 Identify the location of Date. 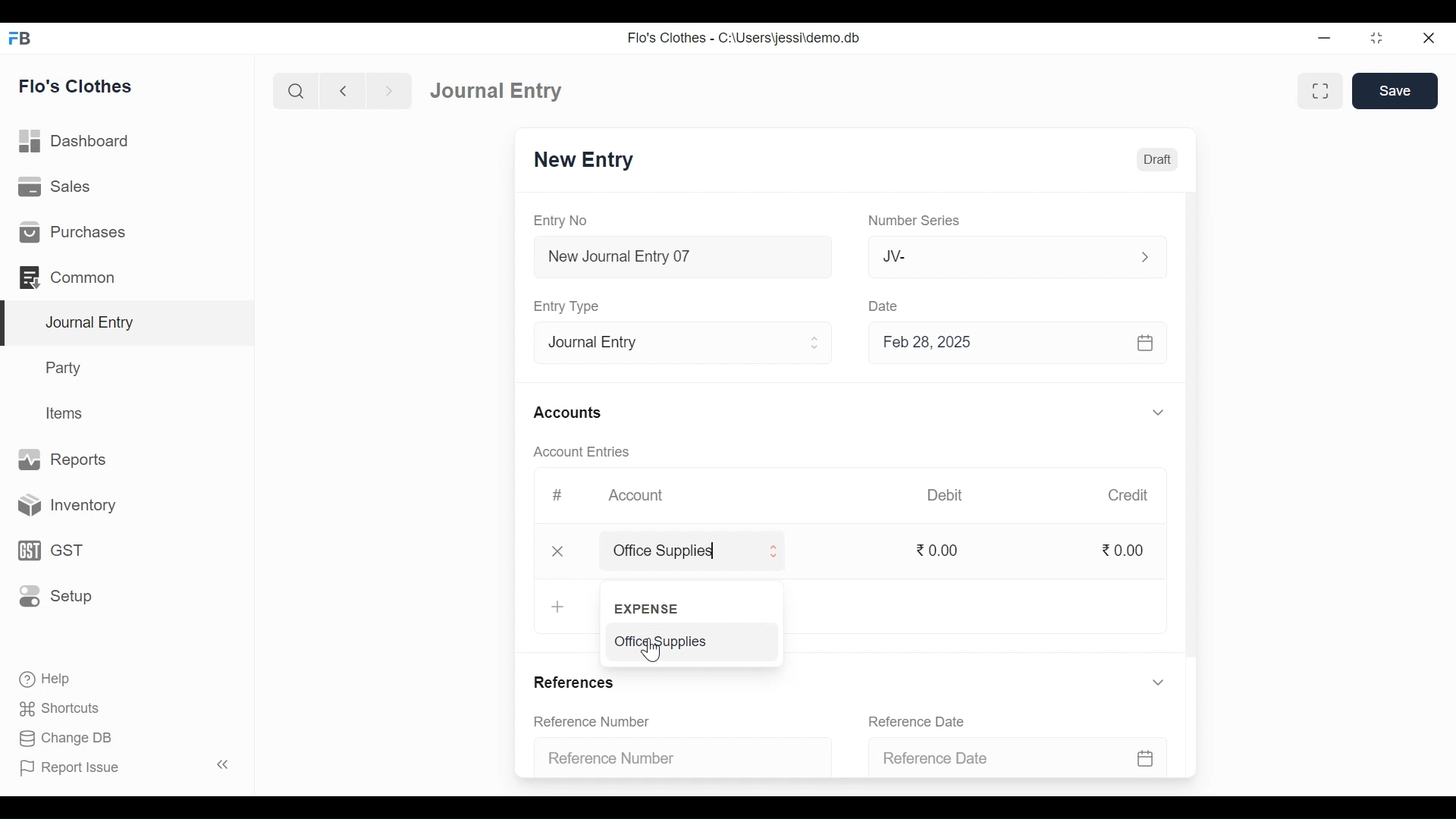
(888, 307).